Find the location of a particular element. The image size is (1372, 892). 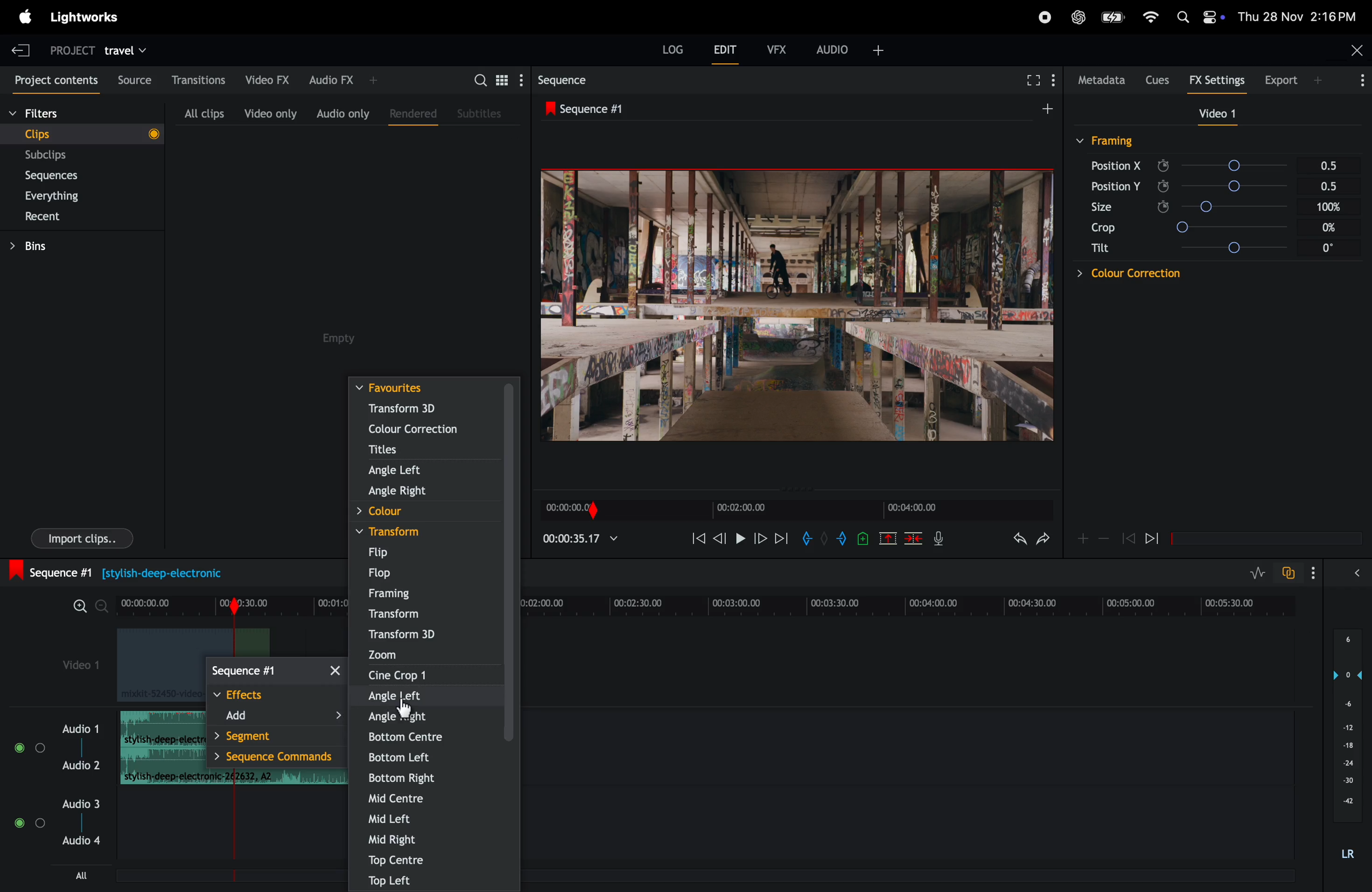

battery is located at coordinates (1113, 17).